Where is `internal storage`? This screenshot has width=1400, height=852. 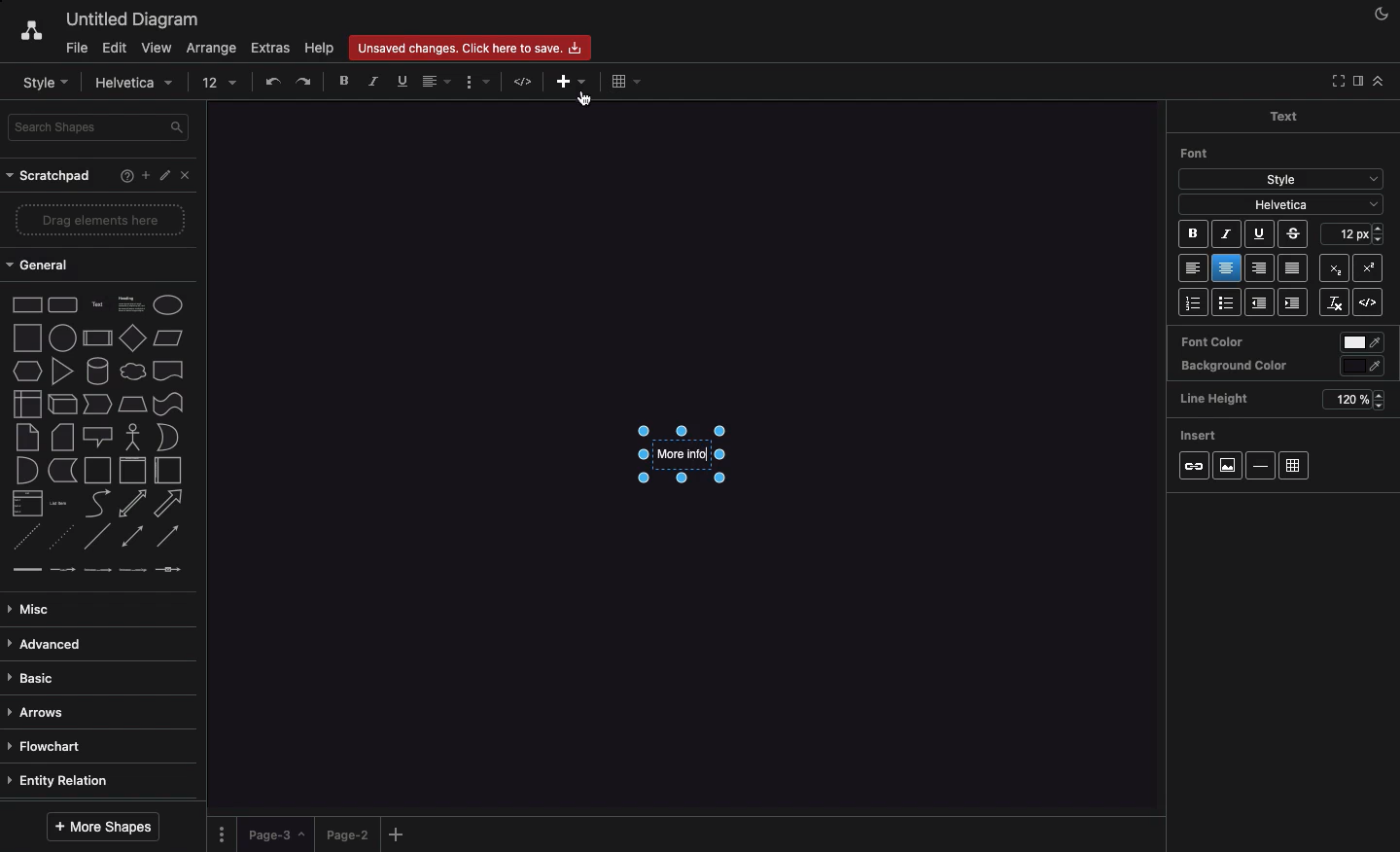 internal storage is located at coordinates (28, 404).